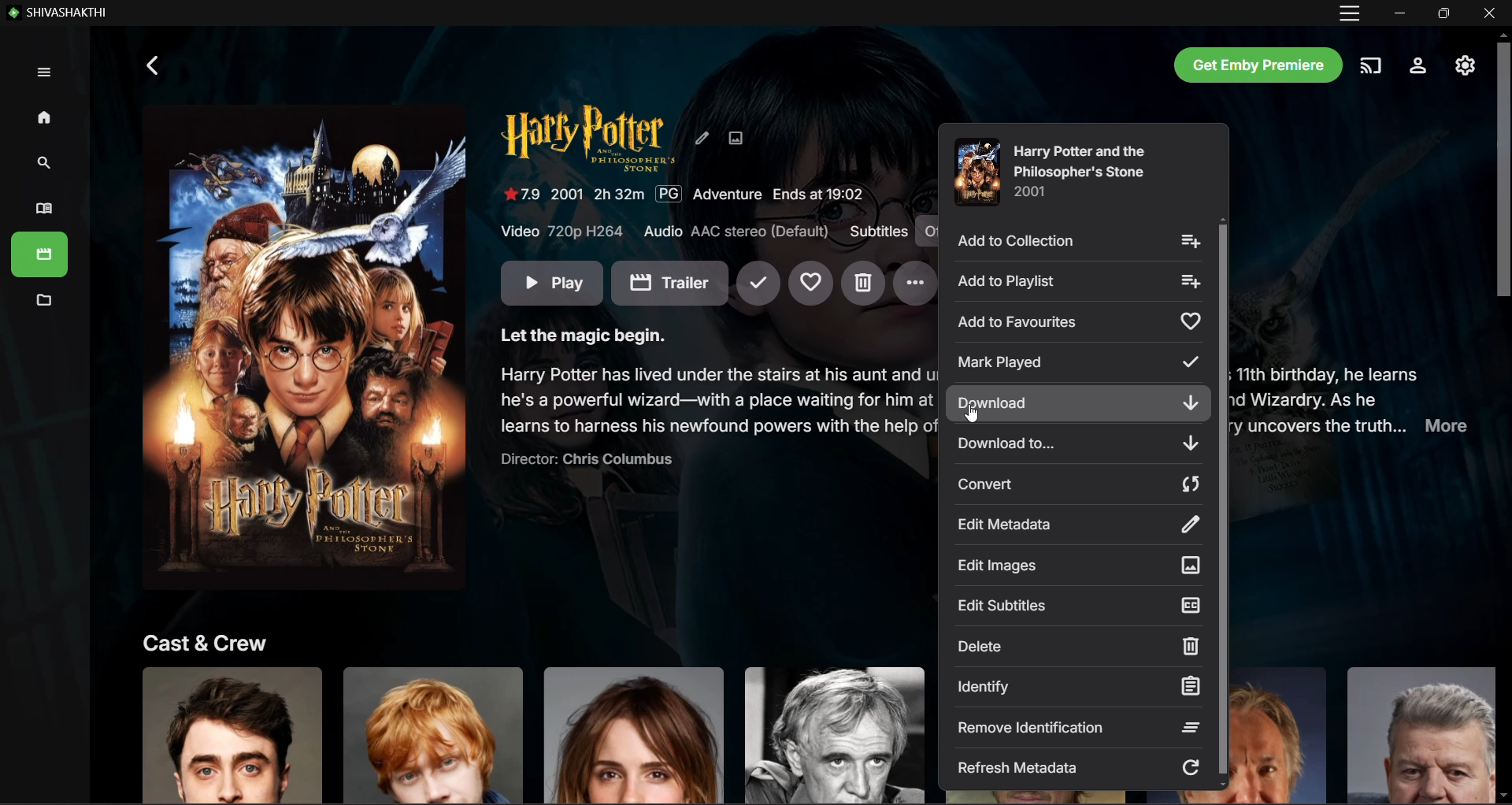 This screenshot has height=805, width=1512. What do you see at coordinates (1079, 566) in the screenshot?
I see `Edit Images` at bounding box center [1079, 566].